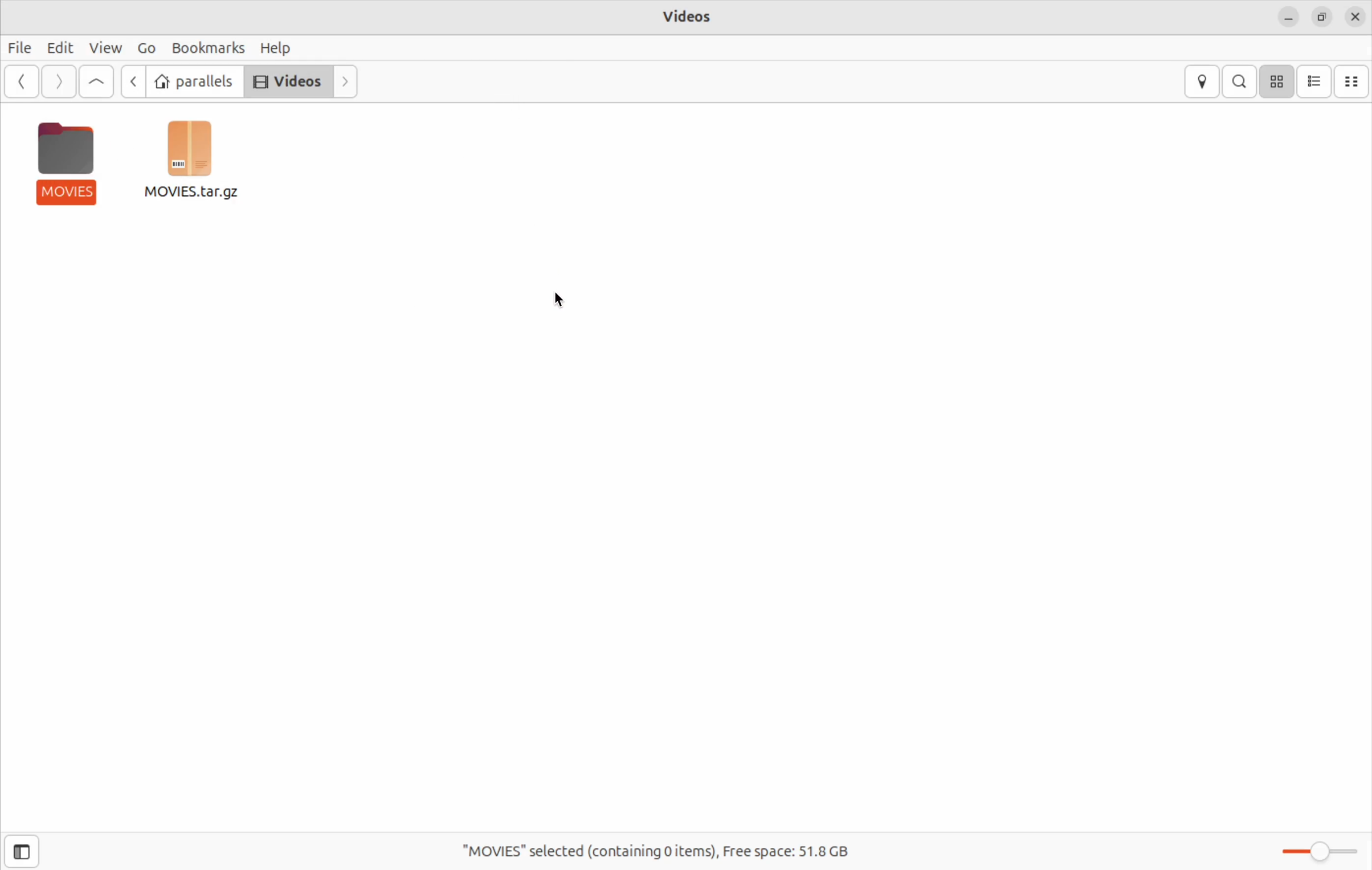 Image resolution: width=1372 pixels, height=870 pixels. What do you see at coordinates (279, 48) in the screenshot?
I see `help` at bounding box center [279, 48].